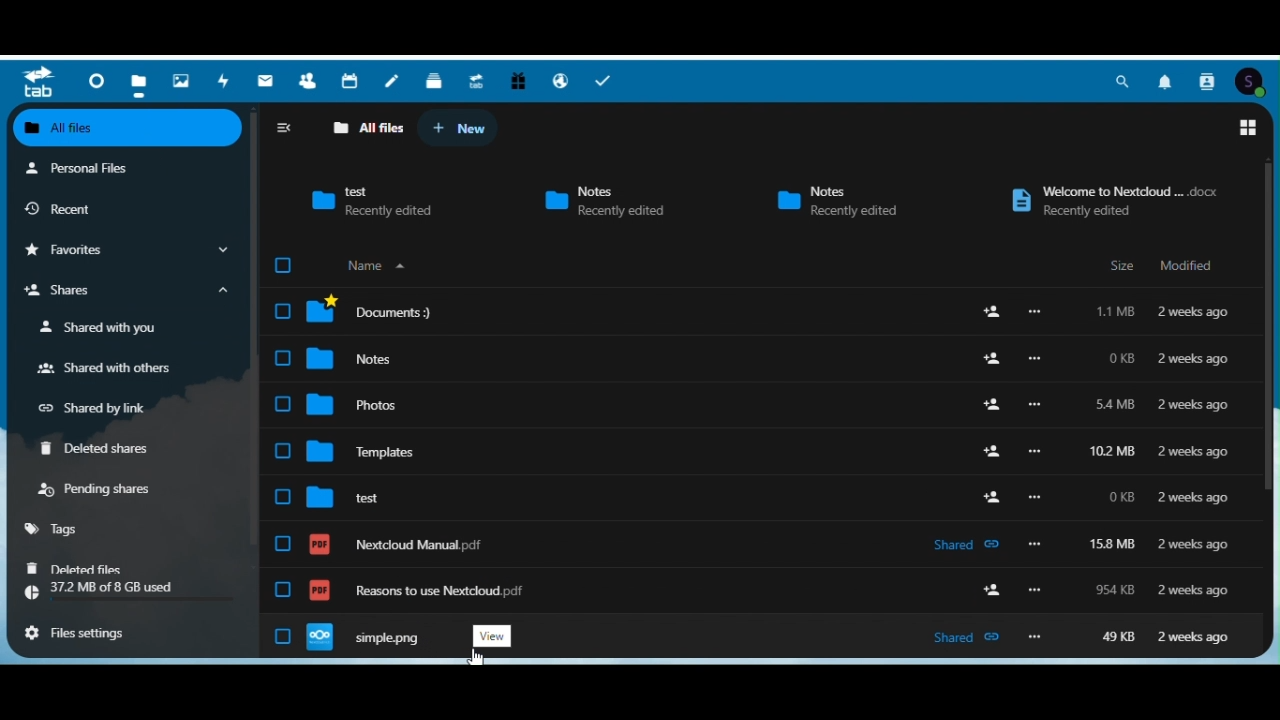 The height and width of the screenshot is (720, 1280). I want to click on Files, so click(141, 79).